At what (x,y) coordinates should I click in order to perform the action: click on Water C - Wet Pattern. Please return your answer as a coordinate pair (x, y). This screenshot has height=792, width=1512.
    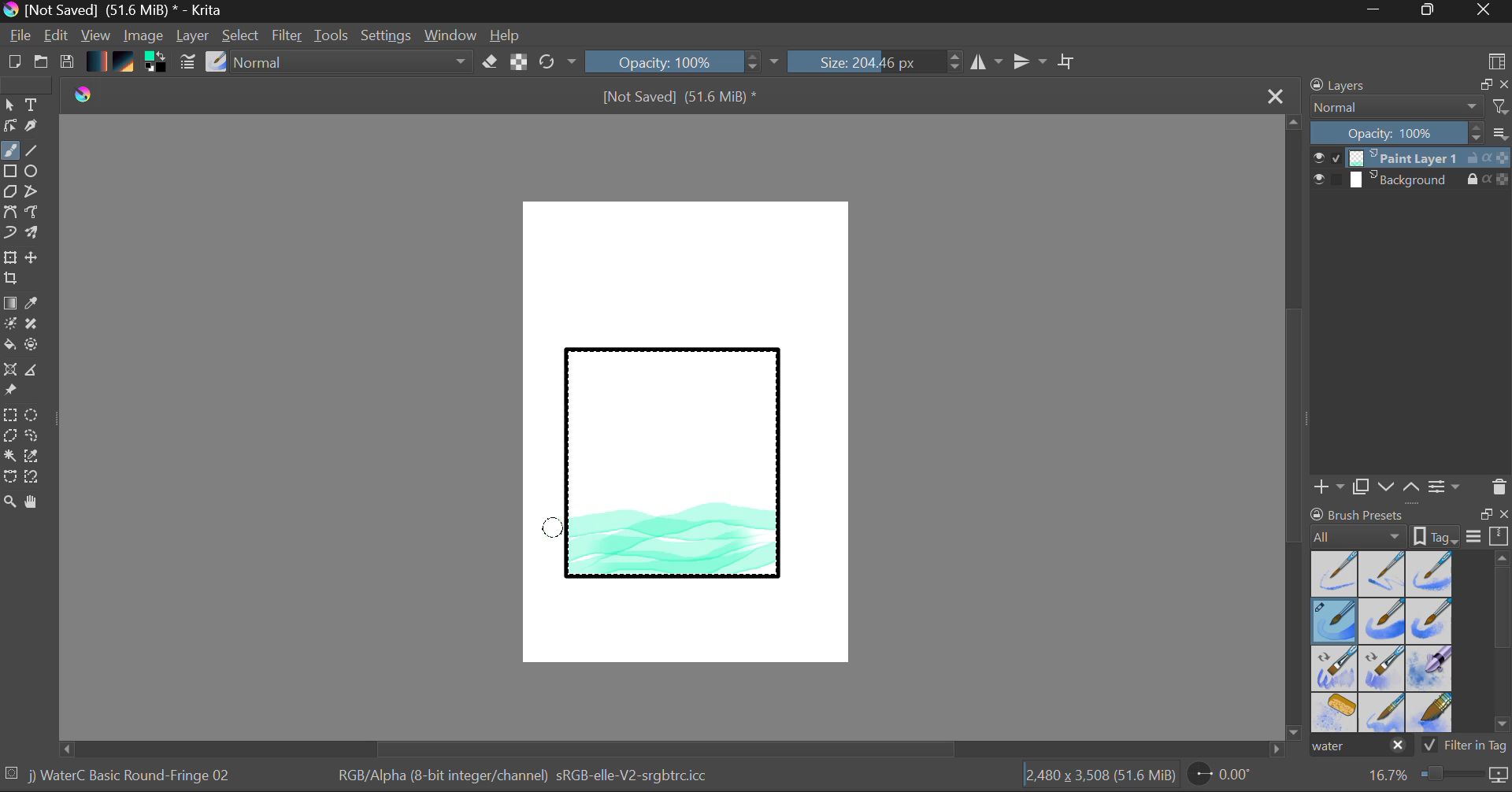
    Looking at the image, I should click on (1429, 574).